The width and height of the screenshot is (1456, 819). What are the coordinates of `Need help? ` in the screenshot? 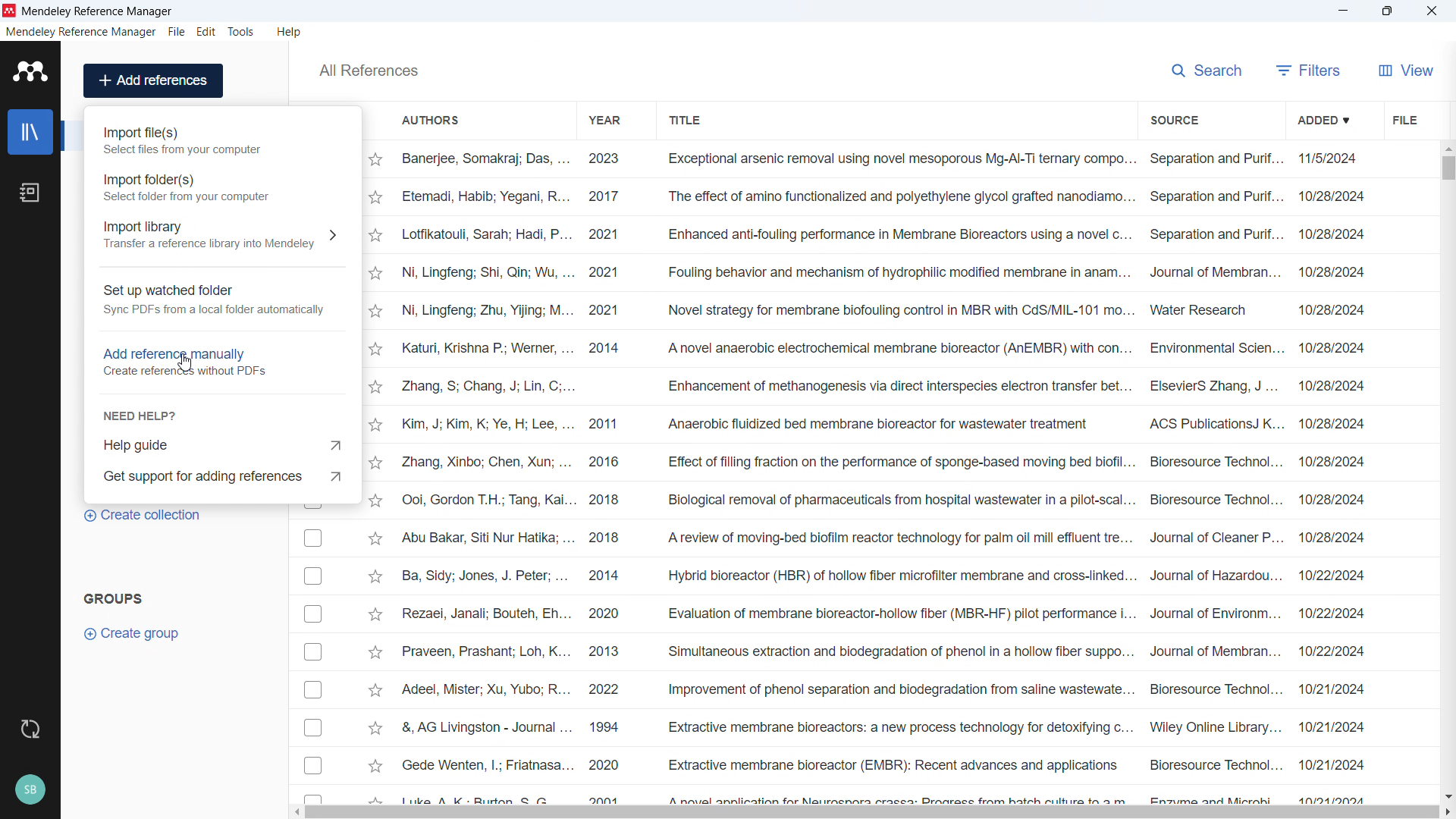 It's located at (141, 415).